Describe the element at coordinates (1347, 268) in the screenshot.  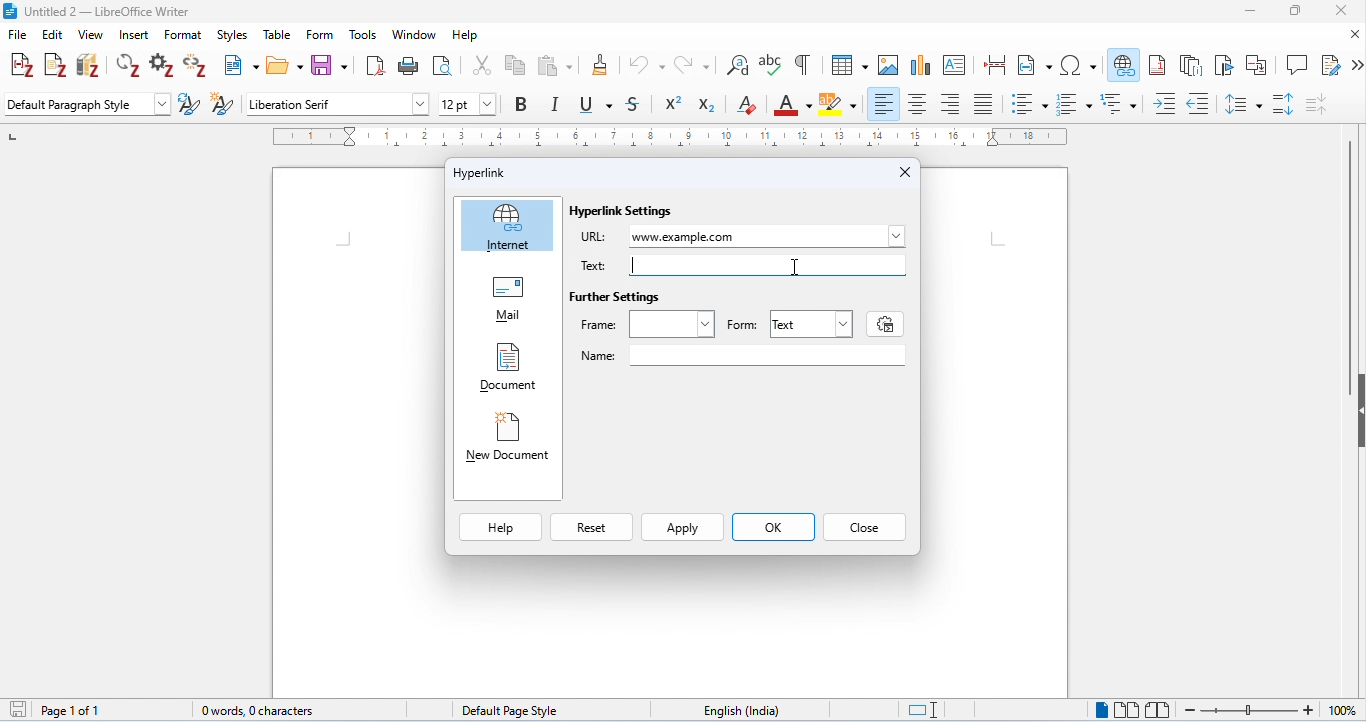
I see `vertical scroll bar` at that location.